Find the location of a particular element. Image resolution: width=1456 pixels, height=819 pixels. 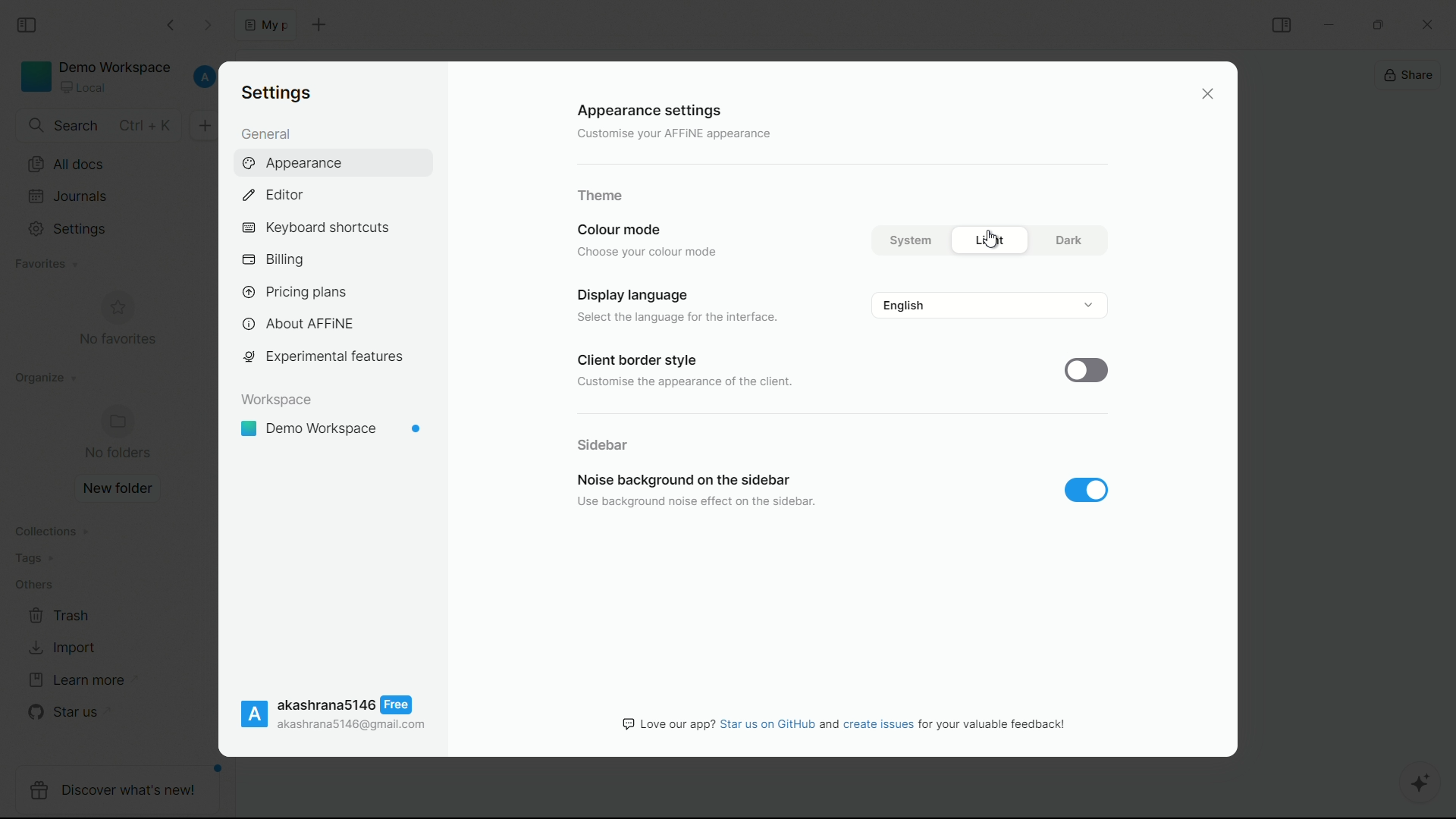

dark is located at coordinates (1068, 240).